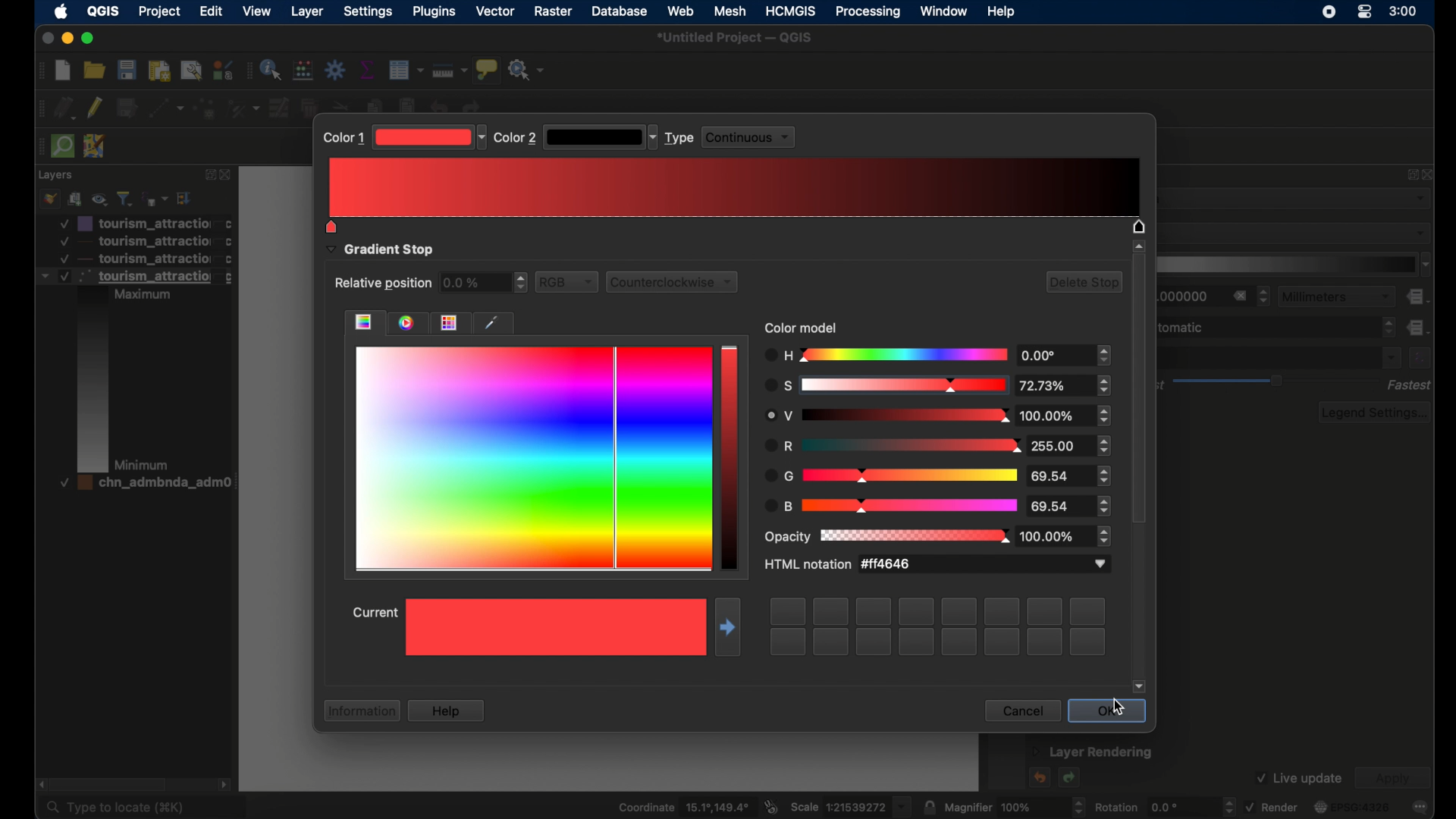  What do you see at coordinates (1352, 807) in the screenshot?
I see `current crs` at bounding box center [1352, 807].